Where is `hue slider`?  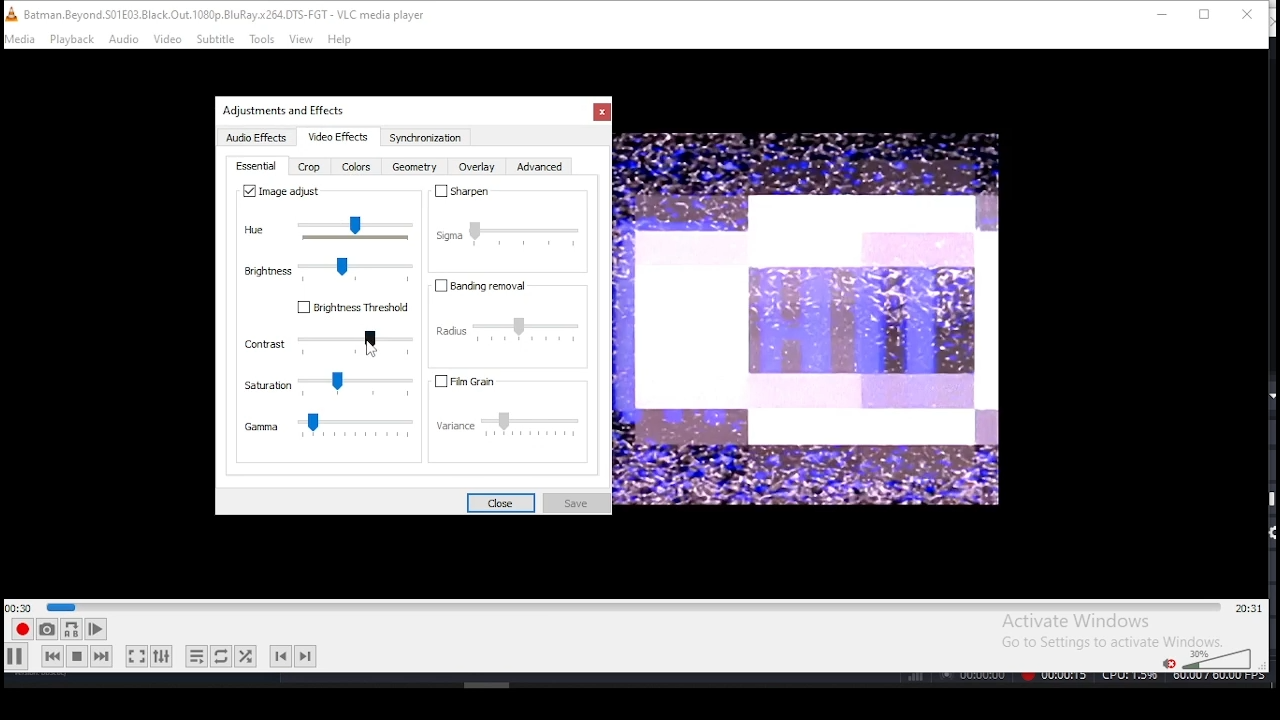
hue slider is located at coordinates (331, 228).